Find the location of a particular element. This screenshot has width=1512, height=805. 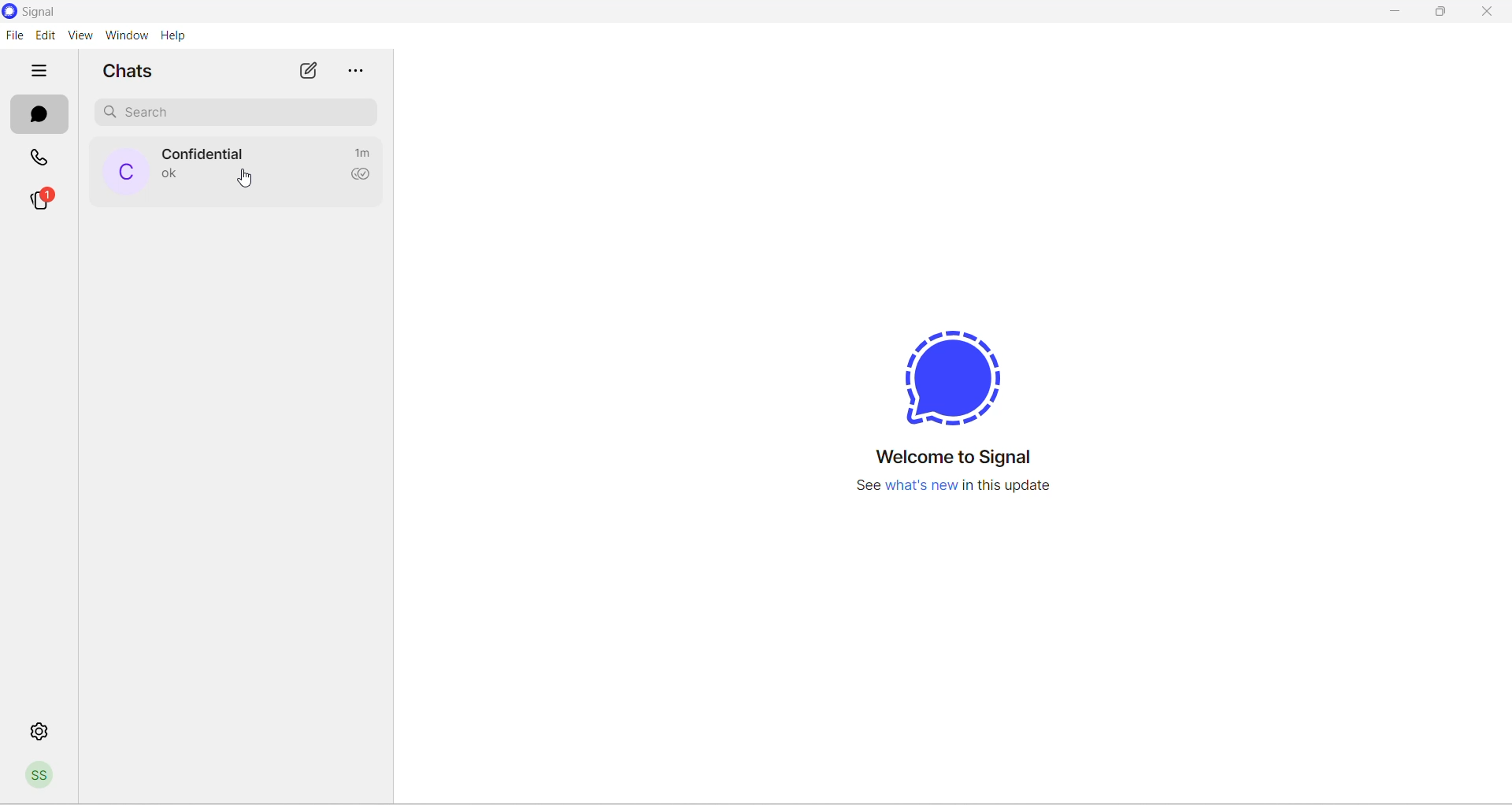

profile picture is located at coordinates (124, 170).